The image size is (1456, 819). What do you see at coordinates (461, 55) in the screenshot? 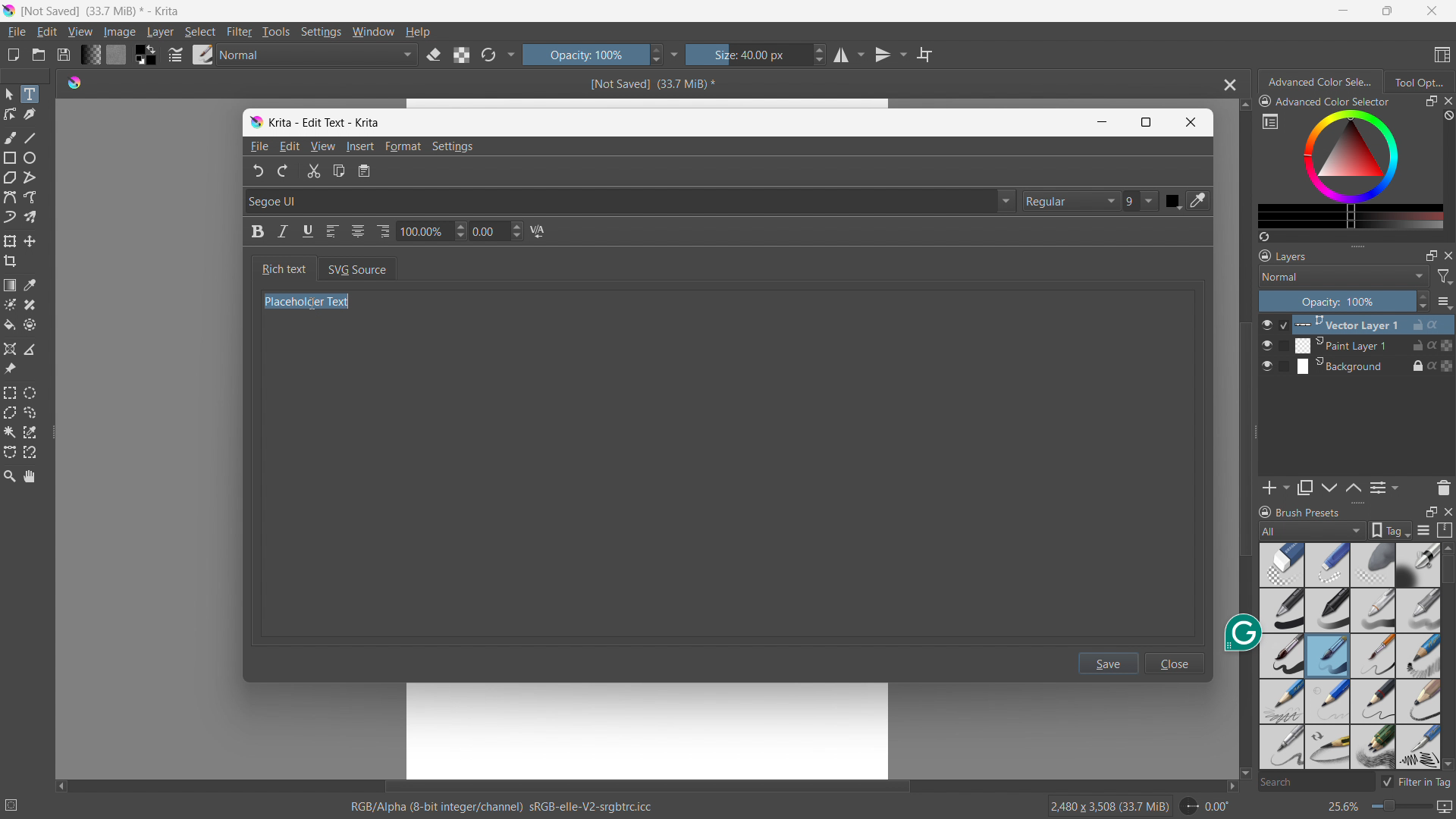
I see `preserve alpha` at bounding box center [461, 55].